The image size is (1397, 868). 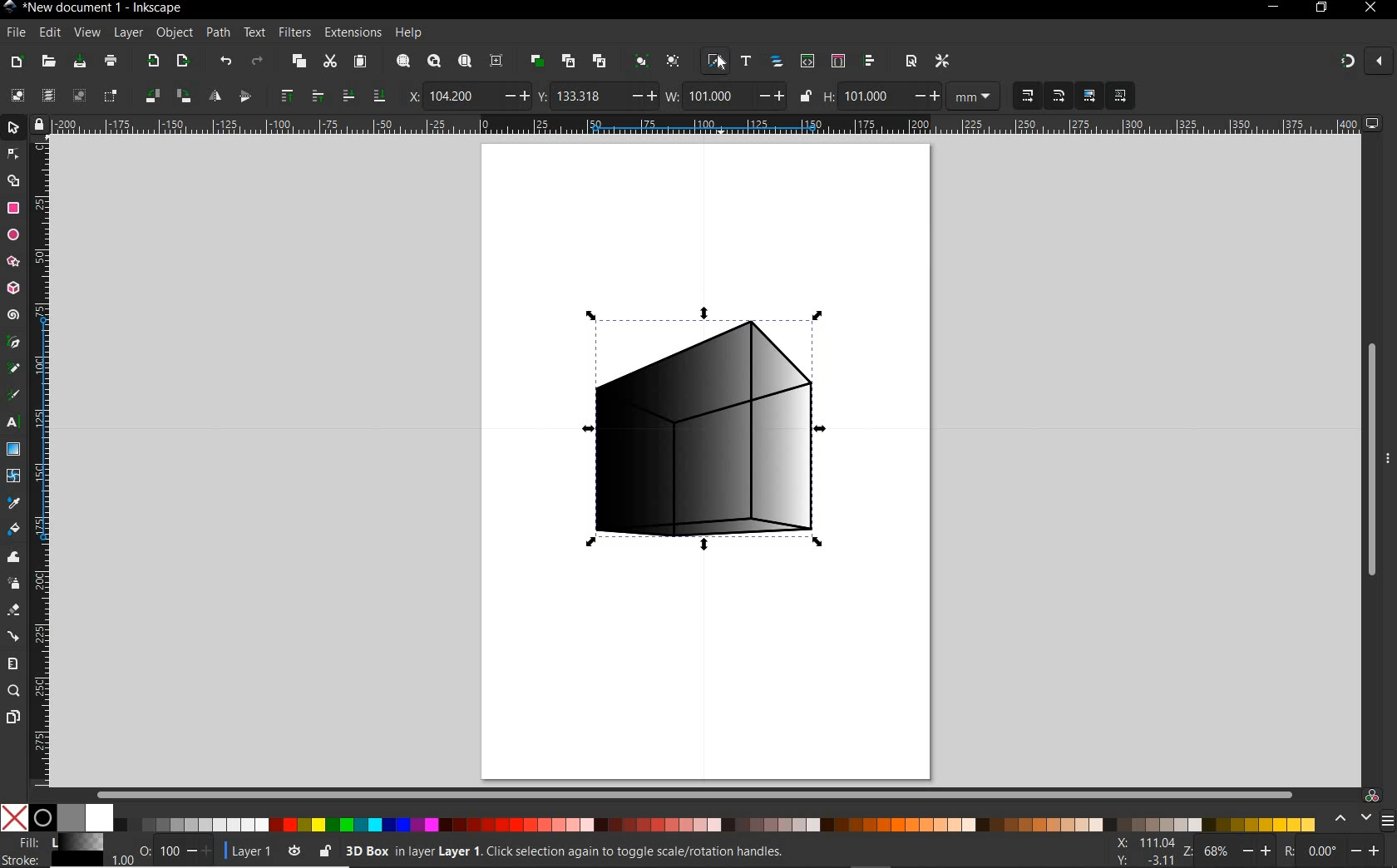 I want to click on CONNECTOR TOOL, so click(x=15, y=635).